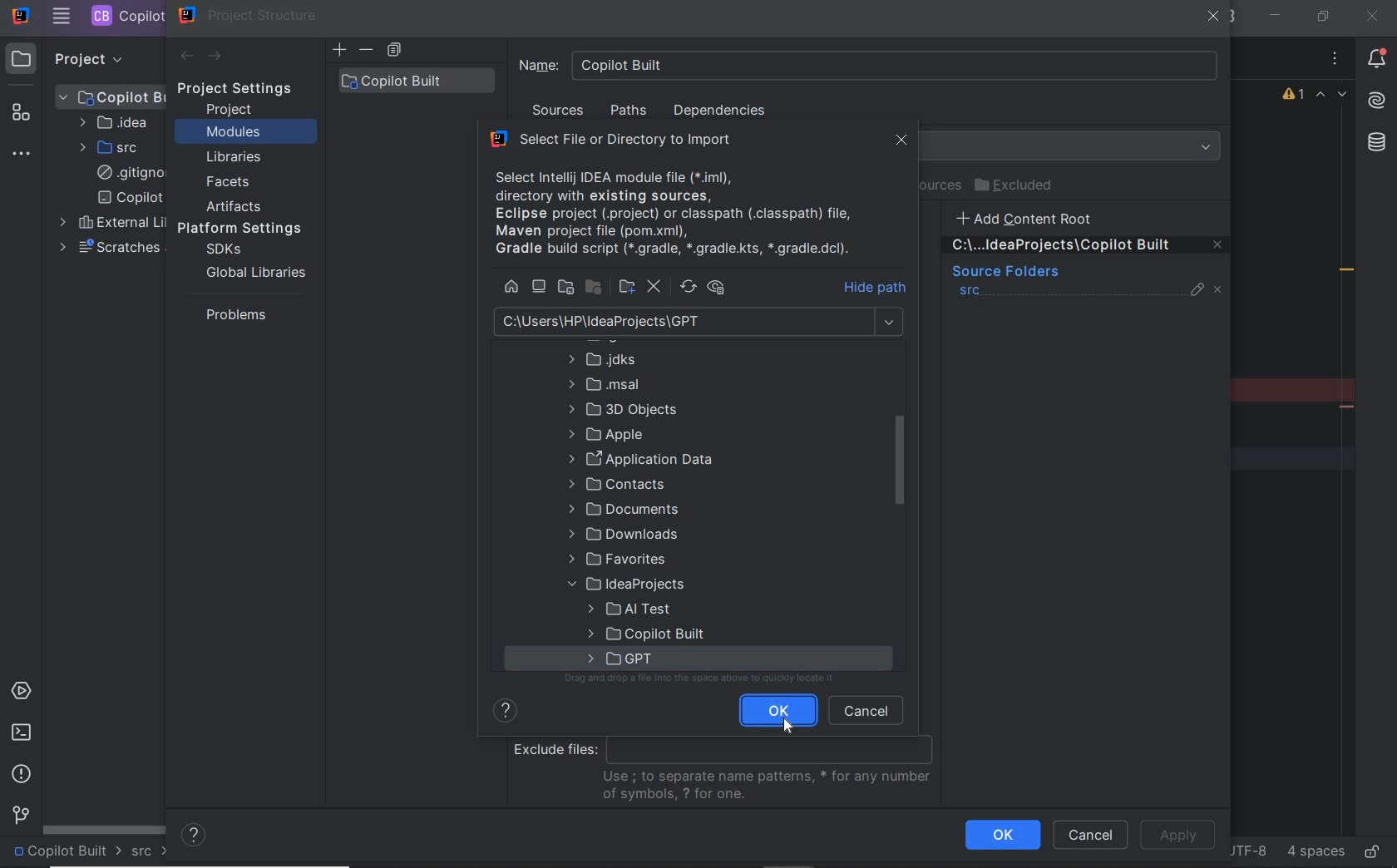 The width and height of the screenshot is (1397, 868). I want to click on more tool windows, so click(23, 155).